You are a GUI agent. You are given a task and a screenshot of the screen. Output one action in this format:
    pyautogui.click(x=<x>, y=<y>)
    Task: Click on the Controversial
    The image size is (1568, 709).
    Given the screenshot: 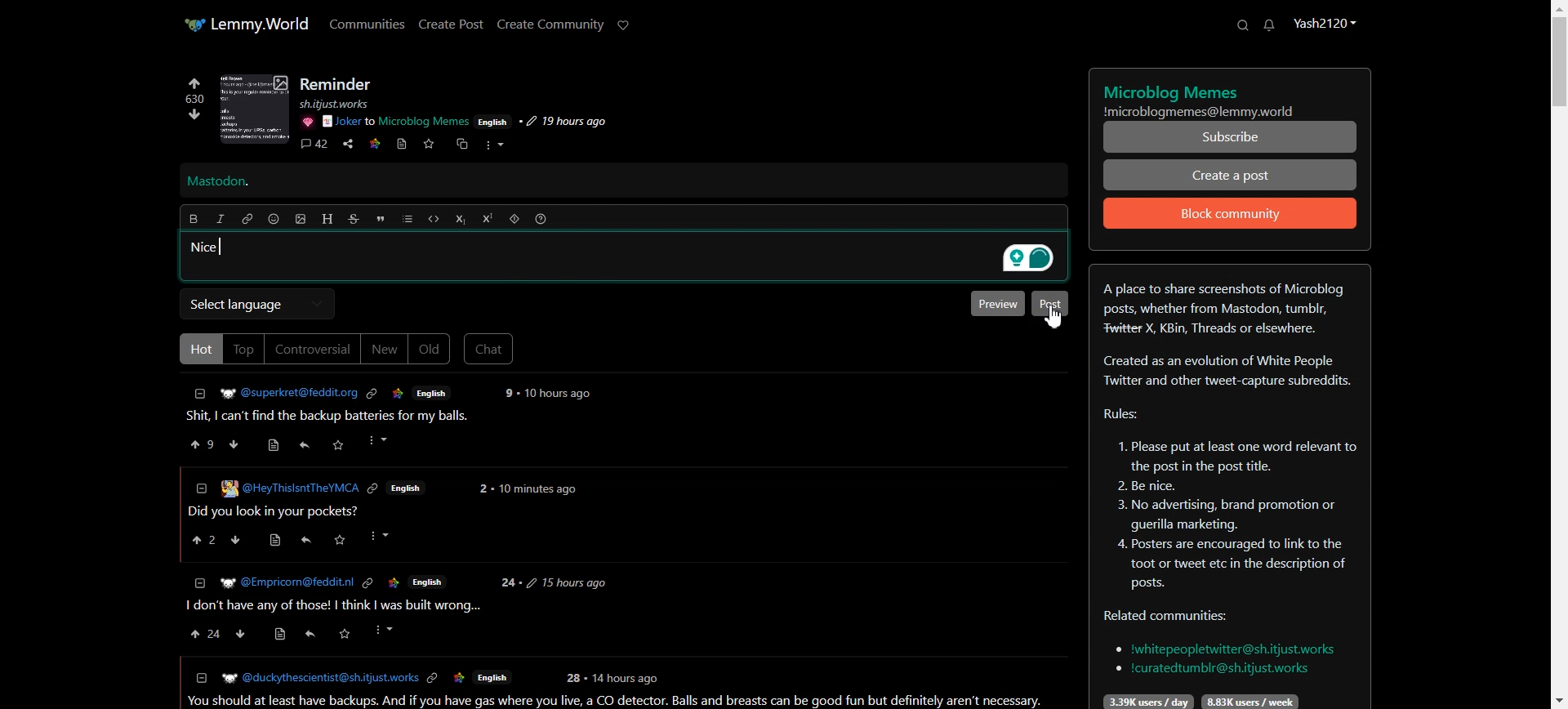 What is the action you would take?
    pyautogui.click(x=313, y=349)
    